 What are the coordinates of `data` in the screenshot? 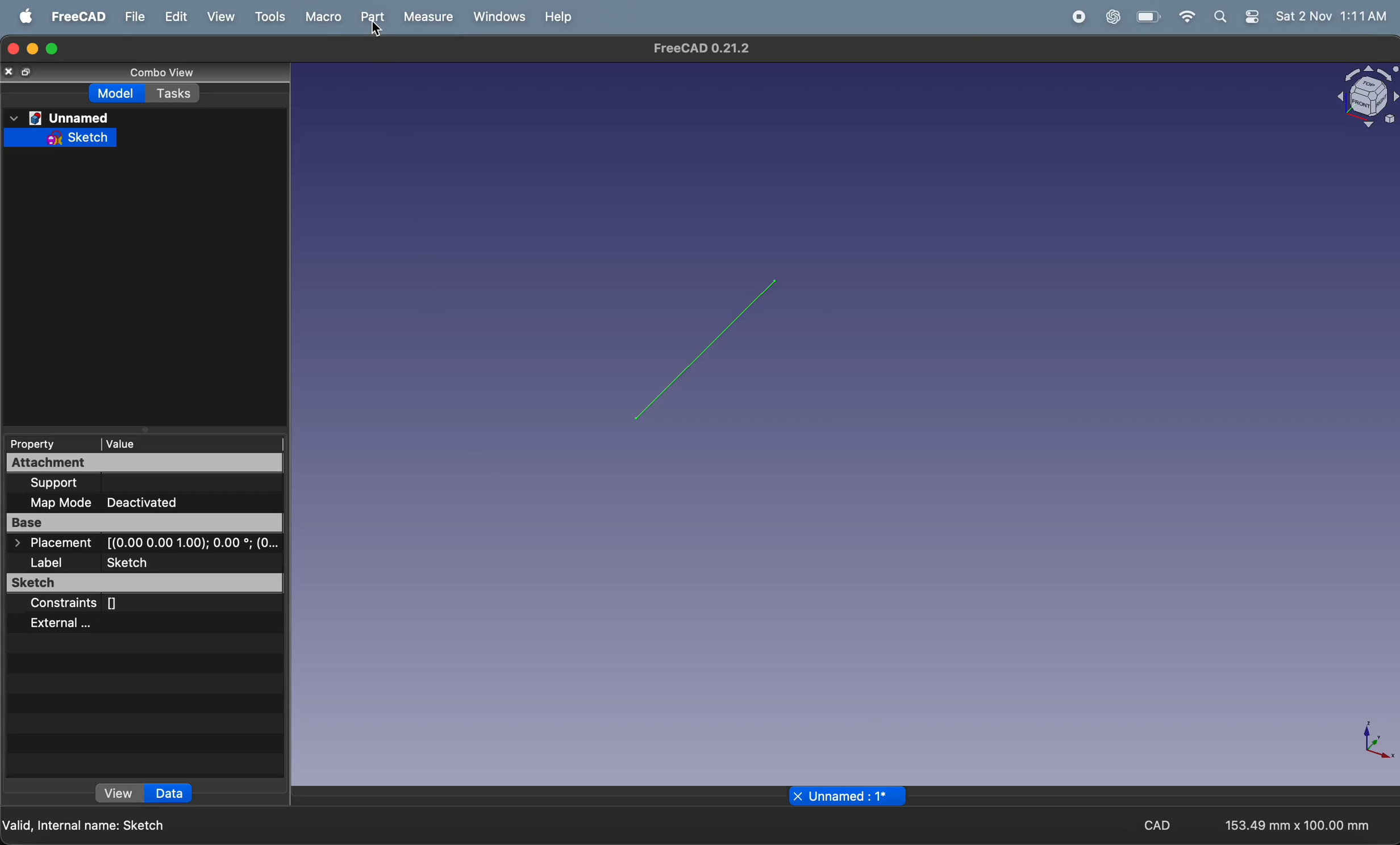 It's located at (168, 793).